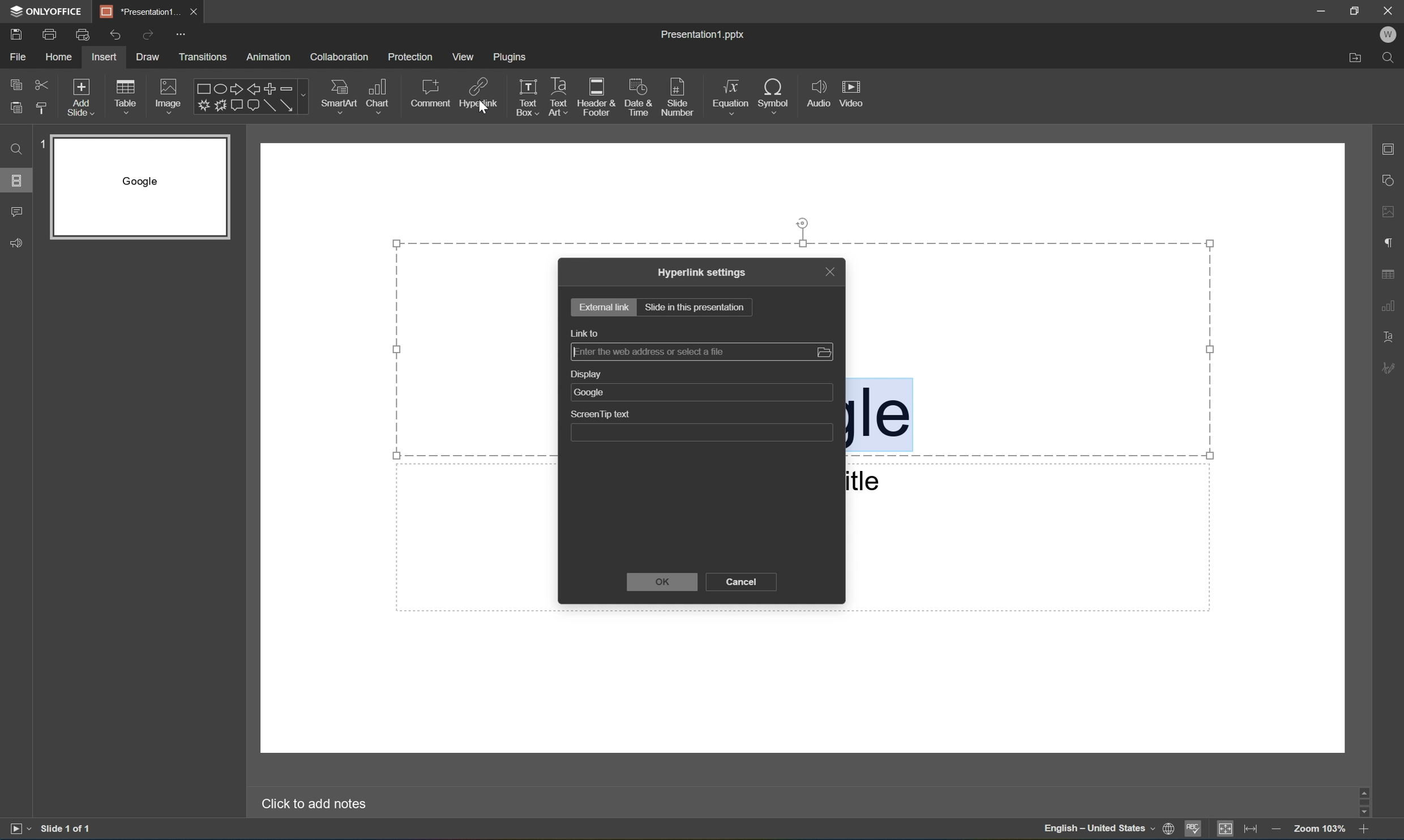  Describe the element at coordinates (45, 84) in the screenshot. I see `Cut` at that location.